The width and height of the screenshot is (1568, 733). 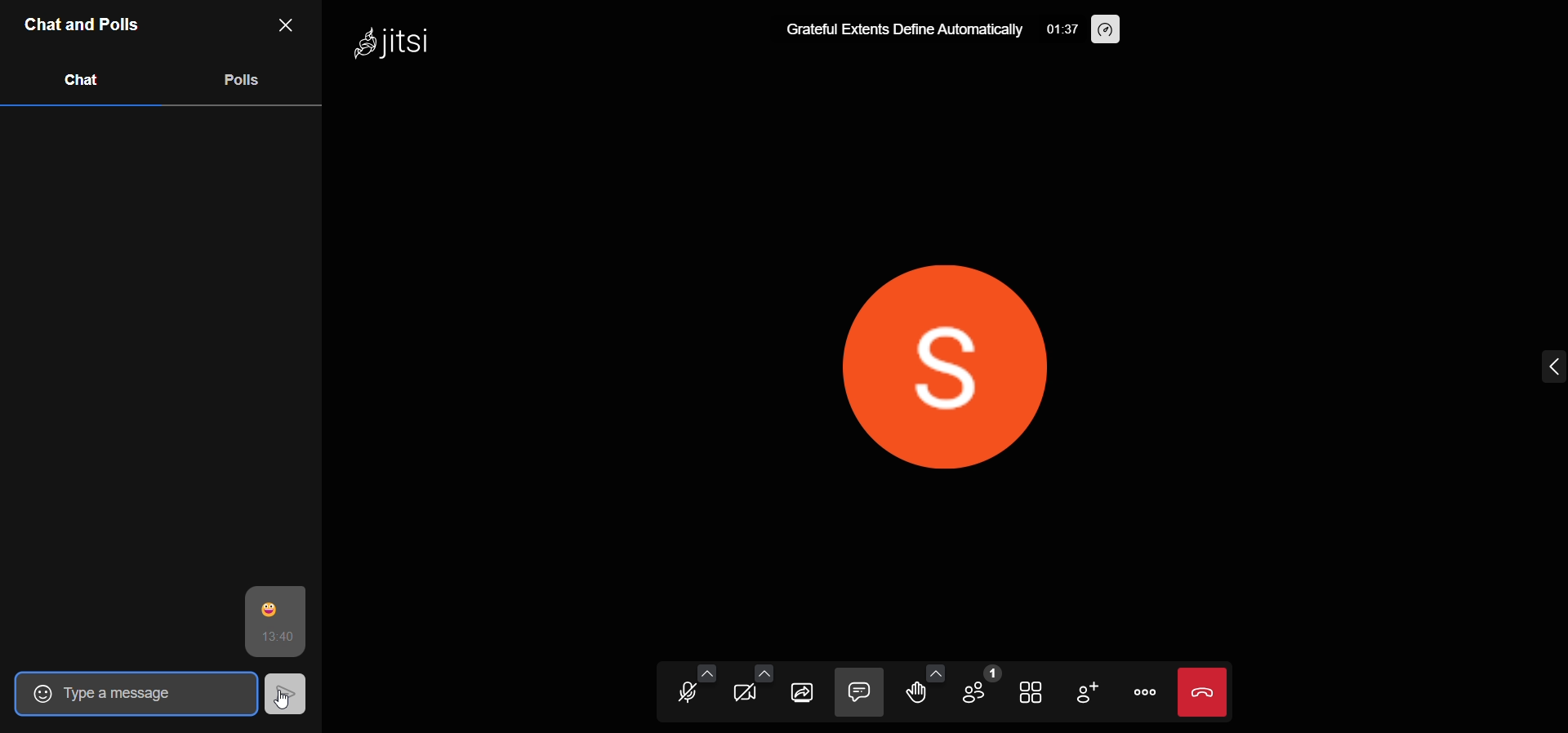 I want to click on chat, so click(x=858, y=692).